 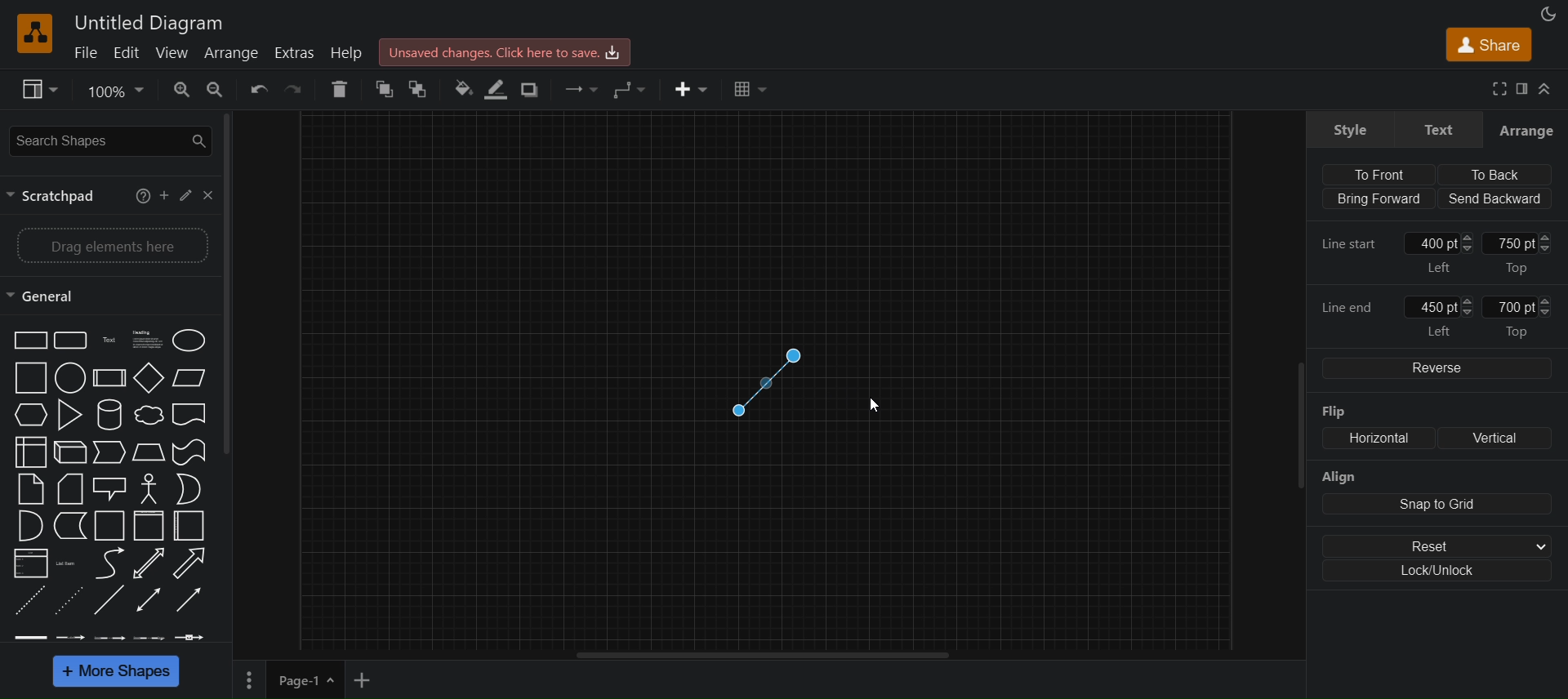 I want to click on arrange, so click(x=1527, y=129).